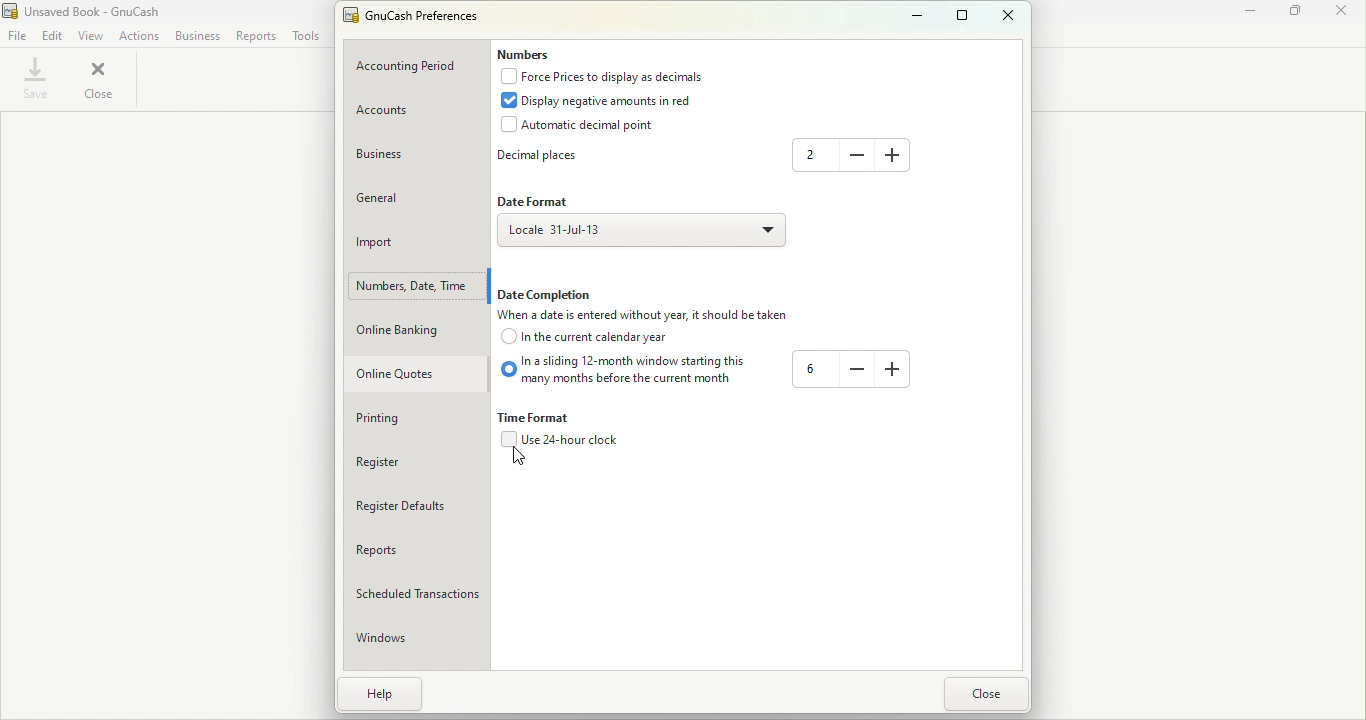  What do you see at coordinates (894, 371) in the screenshot?
I see `+` at bounding box center [894, 371].